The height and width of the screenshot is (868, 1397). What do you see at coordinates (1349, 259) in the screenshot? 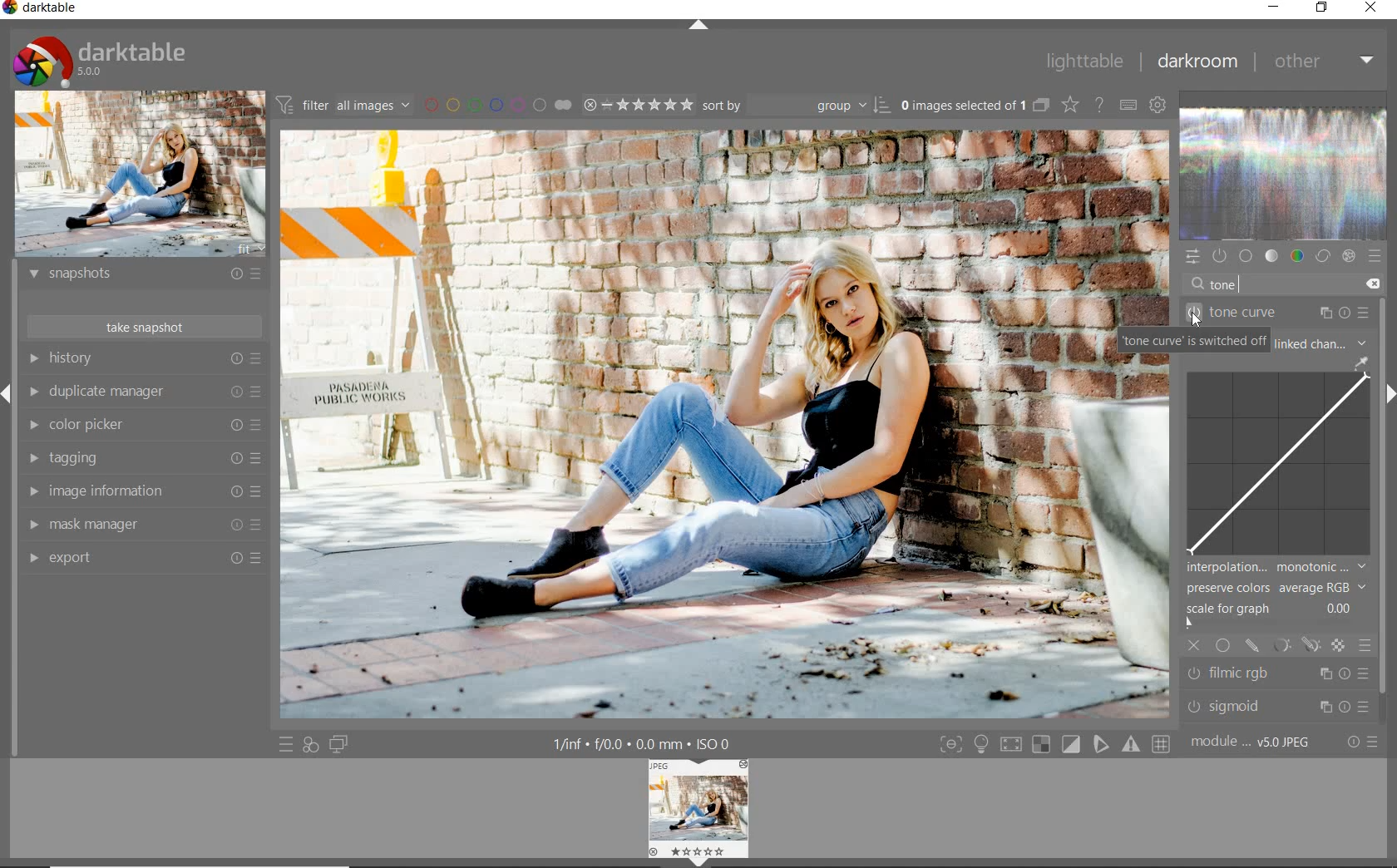
I see `effect` at bounding box center [1349, 259].